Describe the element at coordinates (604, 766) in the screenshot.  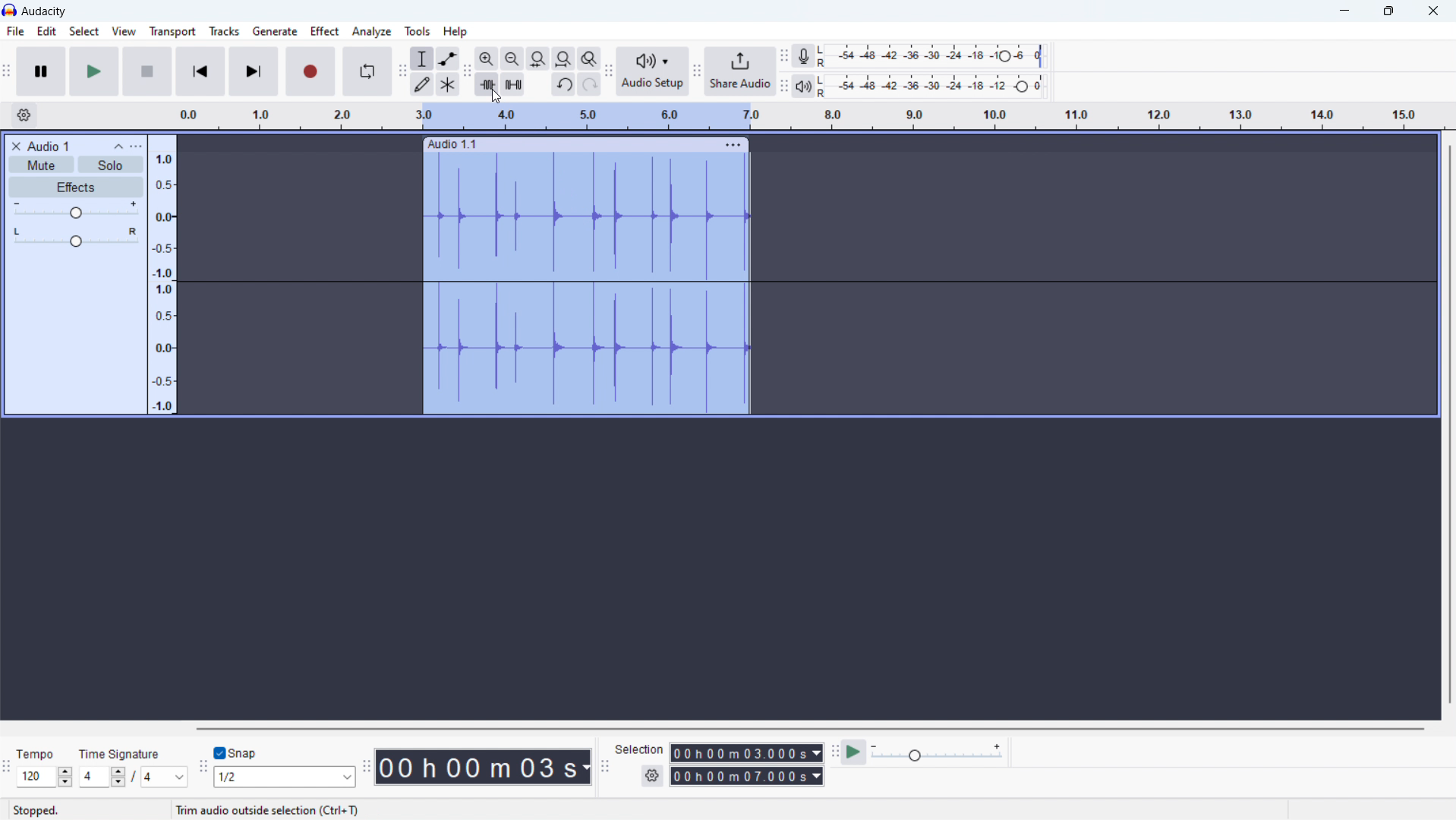
I see `selection toolbar` at that location.